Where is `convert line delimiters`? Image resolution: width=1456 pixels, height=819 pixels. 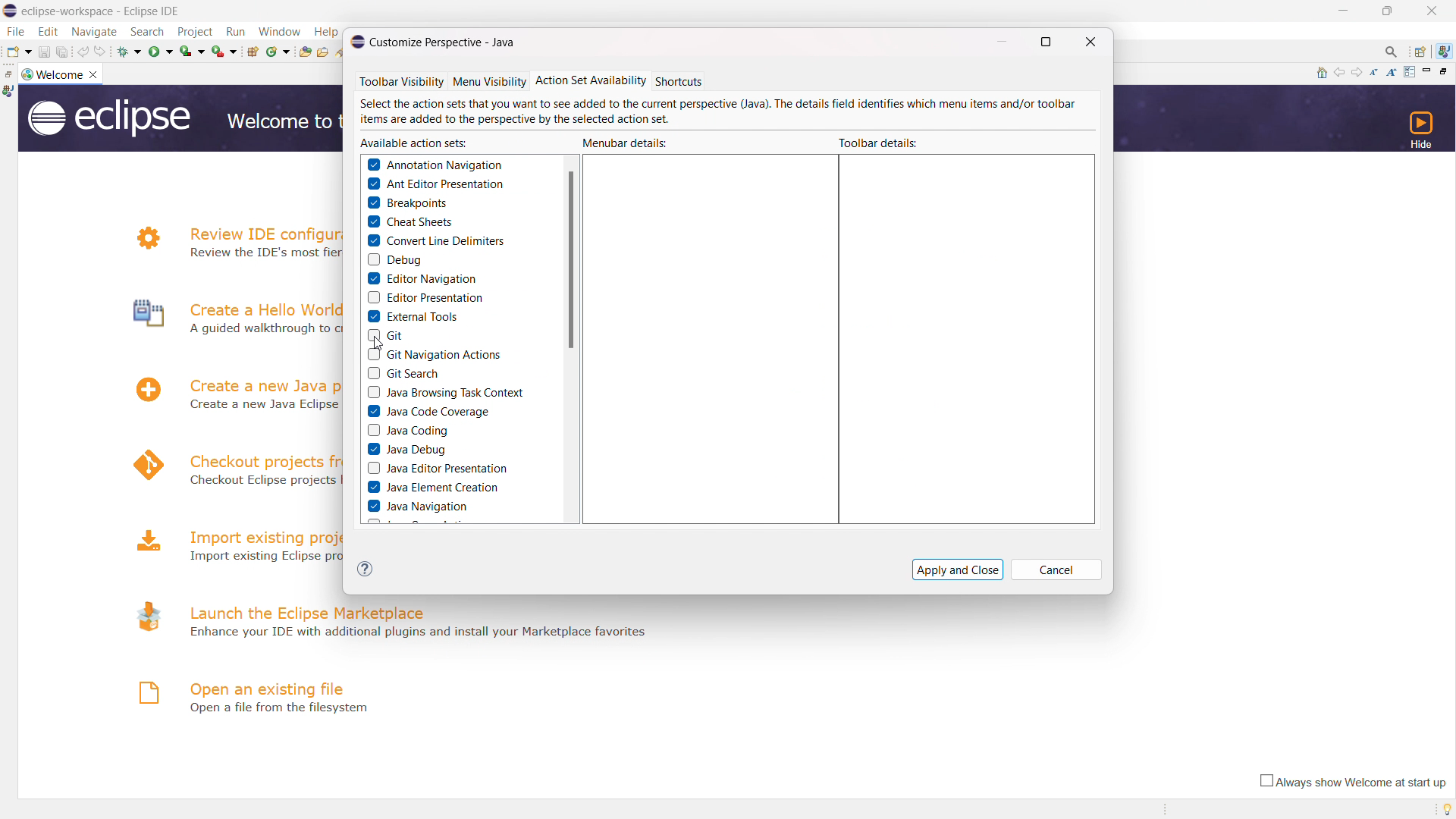 convert line delimiters is located at coordinates (433, 240).